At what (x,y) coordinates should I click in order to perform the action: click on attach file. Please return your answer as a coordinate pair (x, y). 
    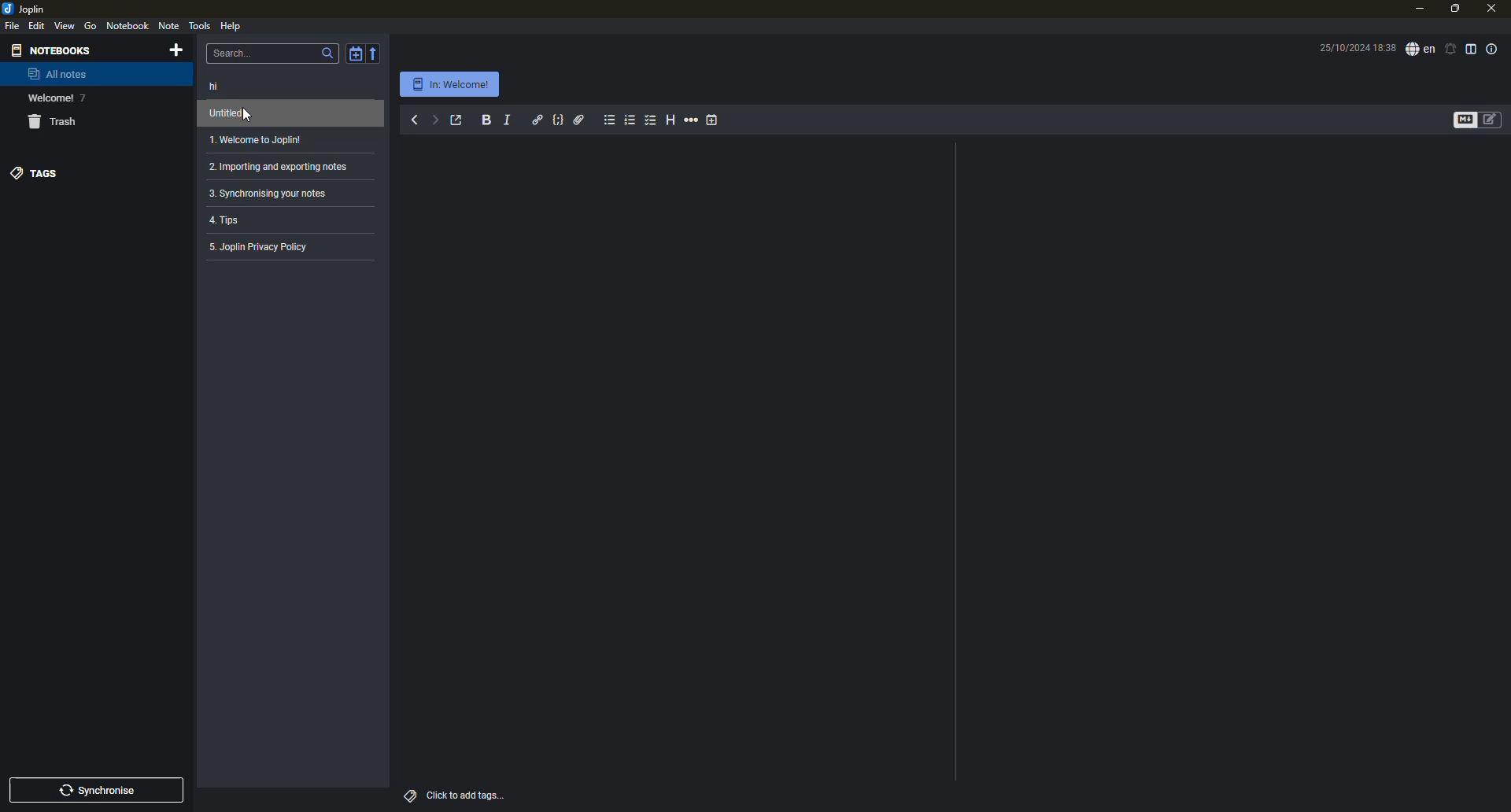
    Looking at the image, I should click on (579, 119).